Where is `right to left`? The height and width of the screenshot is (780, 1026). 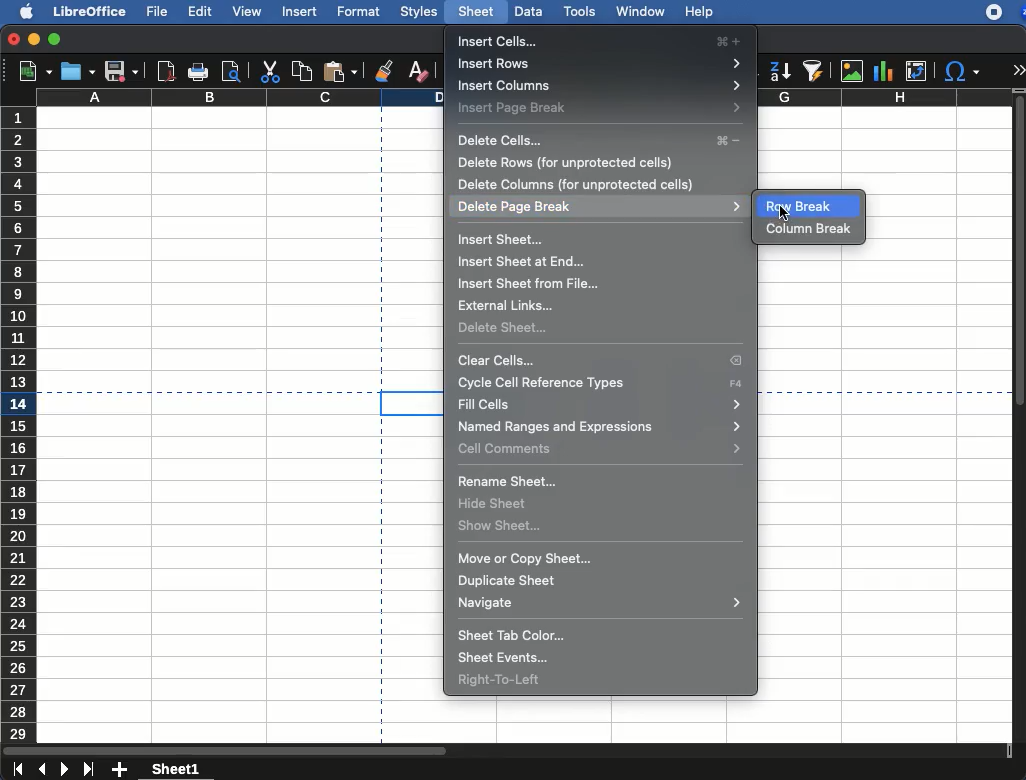 right to left is located at coordinates (501, 681).